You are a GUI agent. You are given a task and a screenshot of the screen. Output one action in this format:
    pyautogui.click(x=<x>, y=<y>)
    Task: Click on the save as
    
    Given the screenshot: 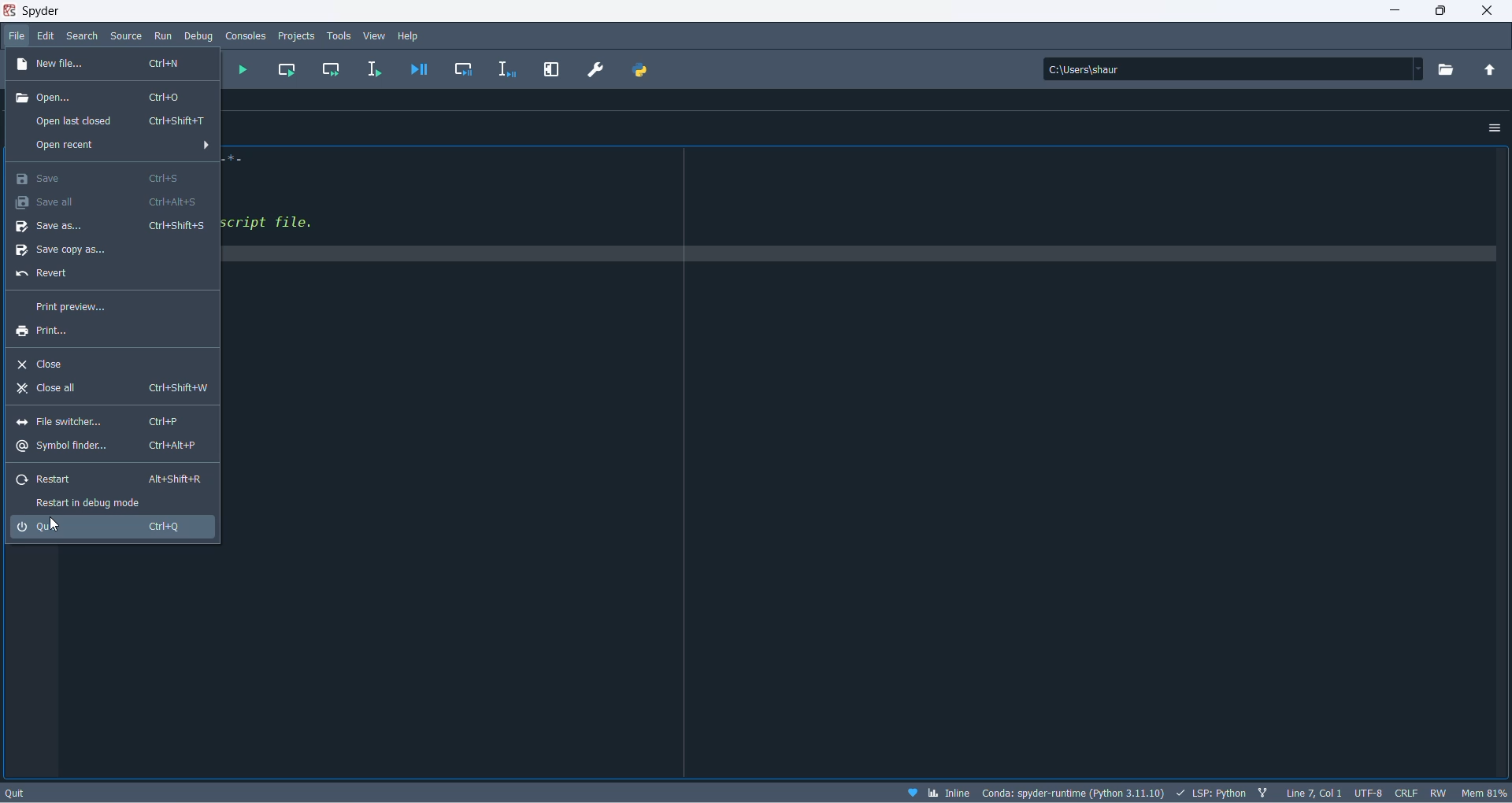 What is the action you would take?
    pyautogui.click(x=111, y=227)
    